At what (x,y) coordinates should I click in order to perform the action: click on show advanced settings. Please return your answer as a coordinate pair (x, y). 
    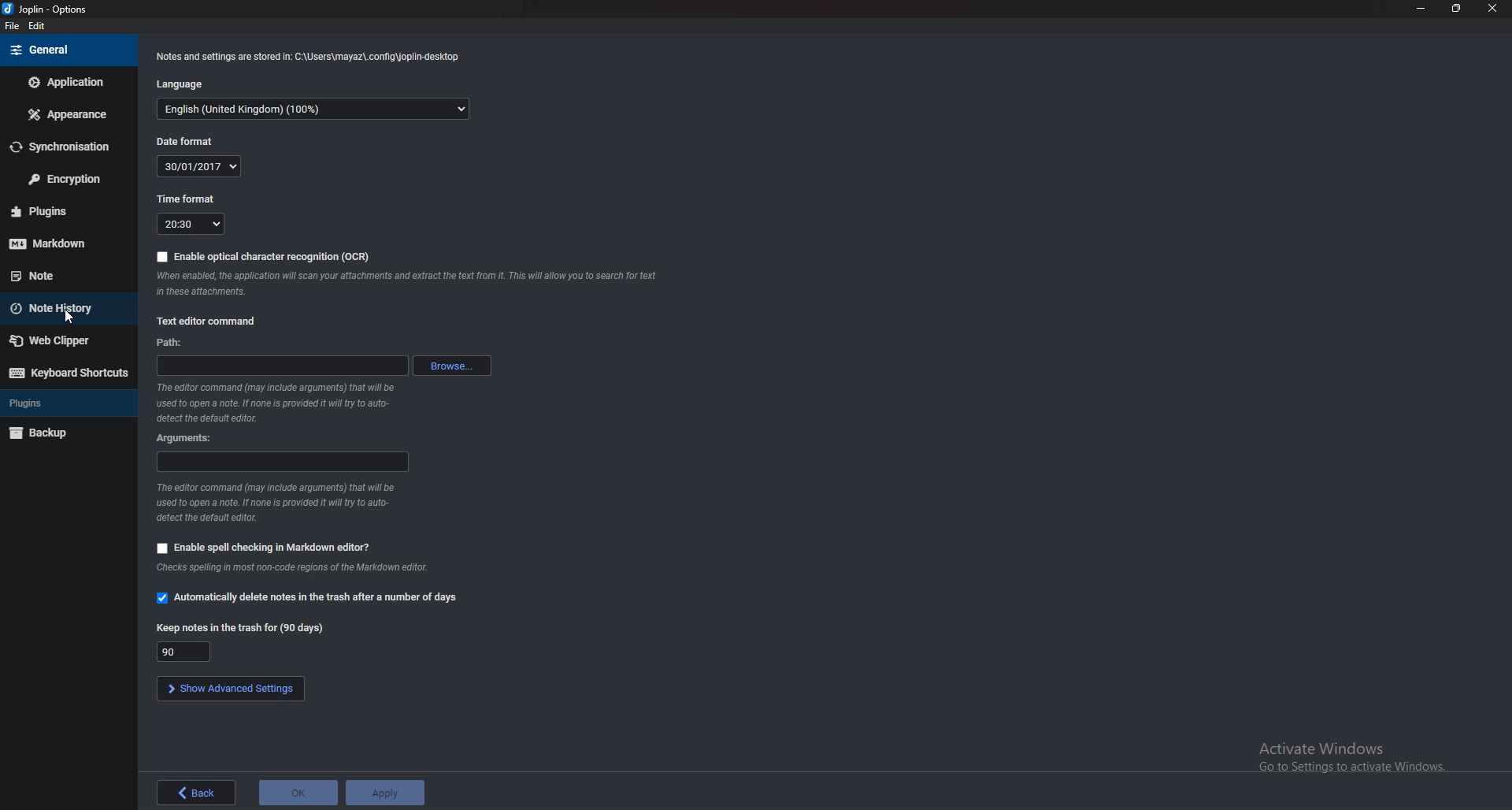
    Looking at the image, I should click on (232, 689).